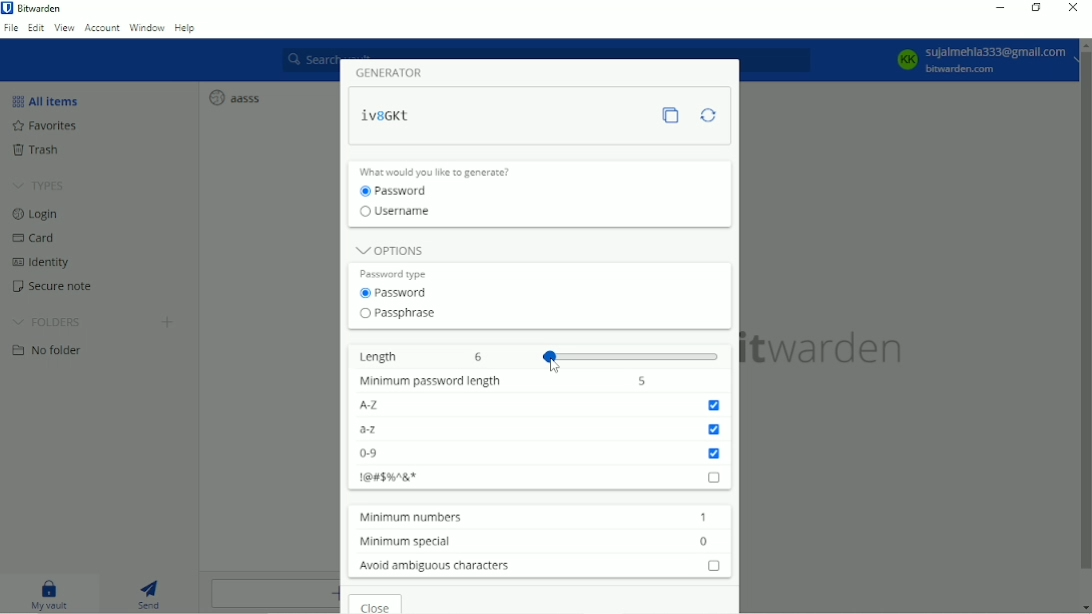  I want to click on Passphrase, so click(398, 314).